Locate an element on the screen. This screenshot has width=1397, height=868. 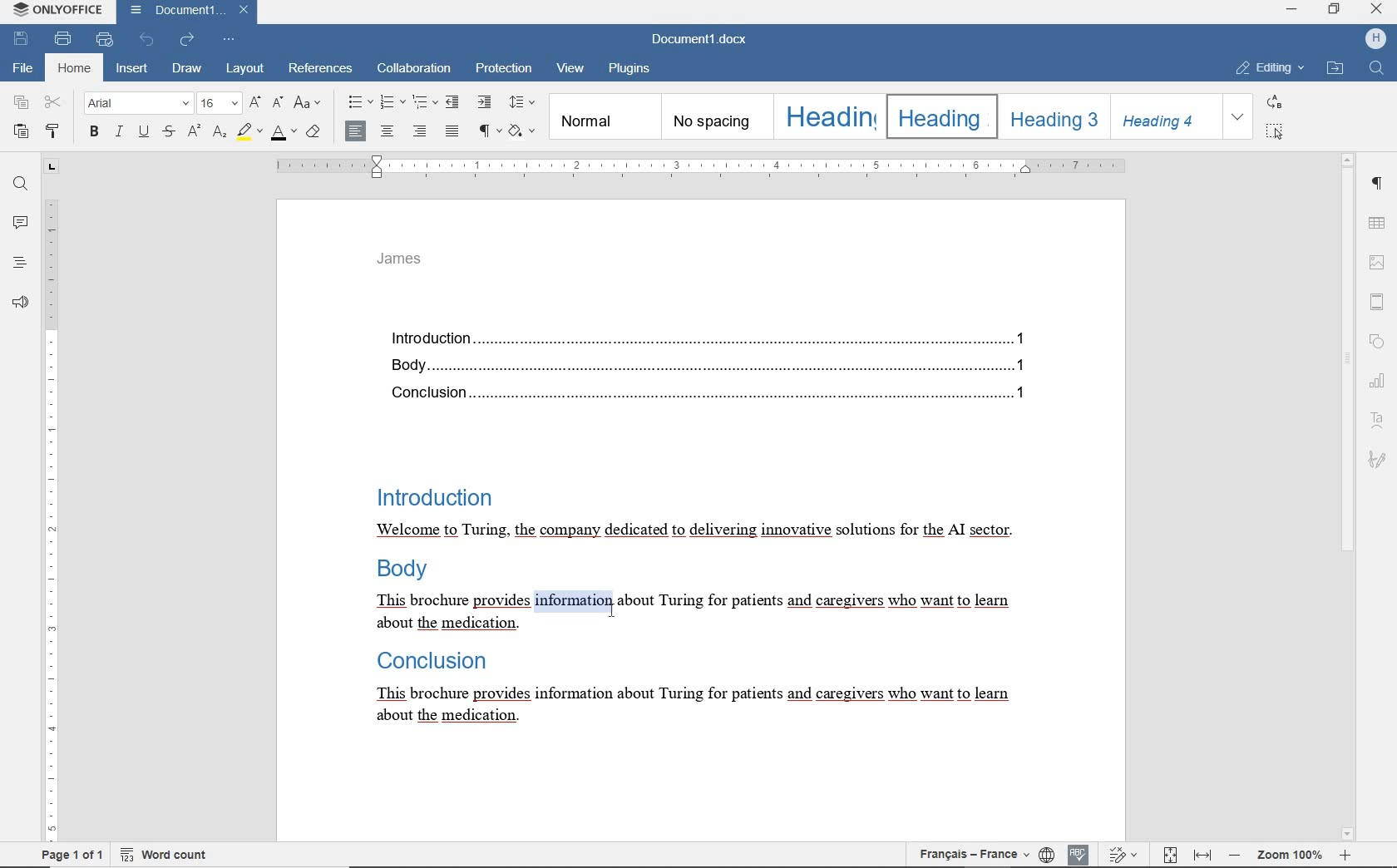
PRINT is located at coordinates (63, 38).